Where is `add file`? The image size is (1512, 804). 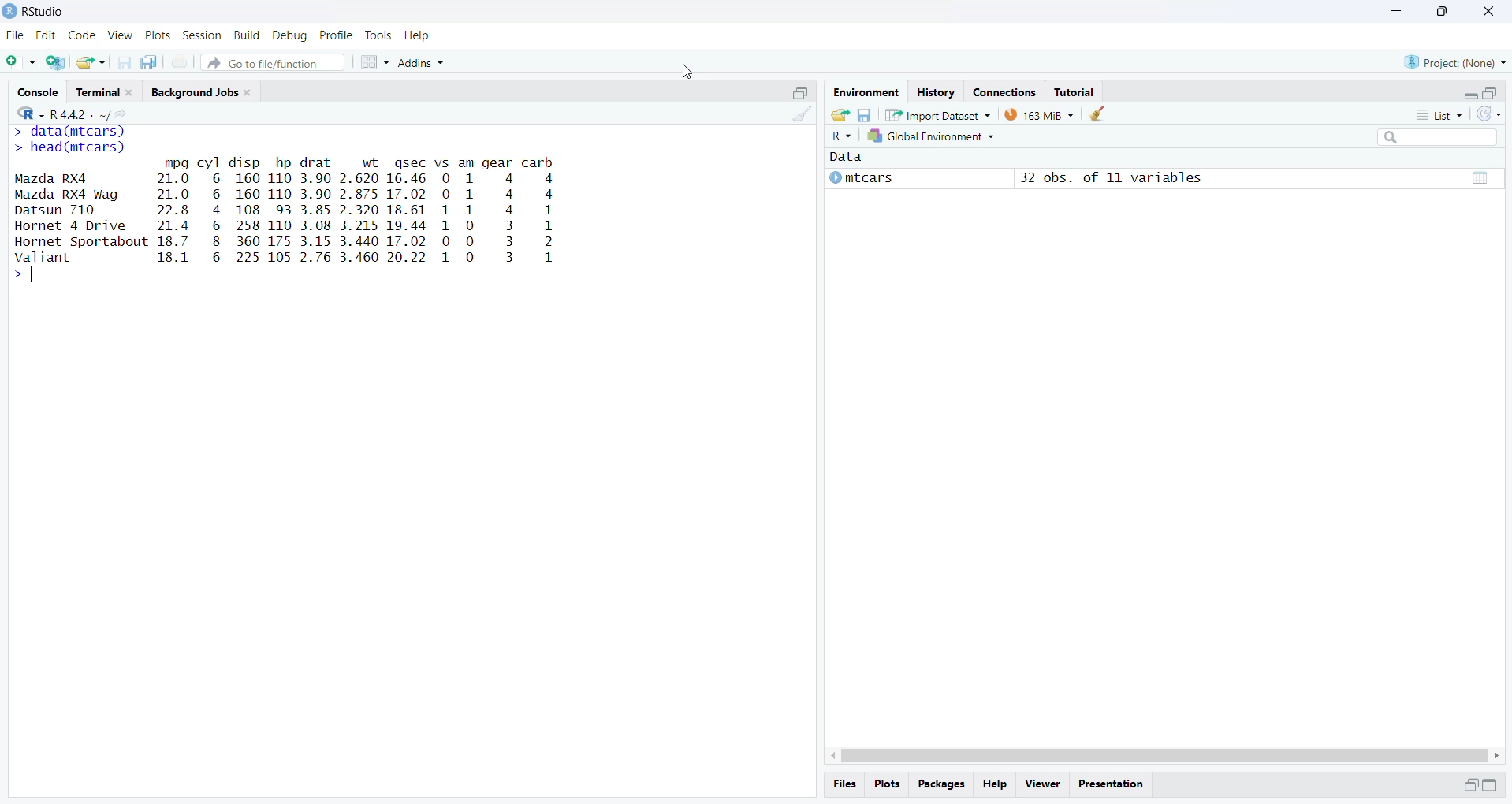
add file is located at coordinates (55, 62).